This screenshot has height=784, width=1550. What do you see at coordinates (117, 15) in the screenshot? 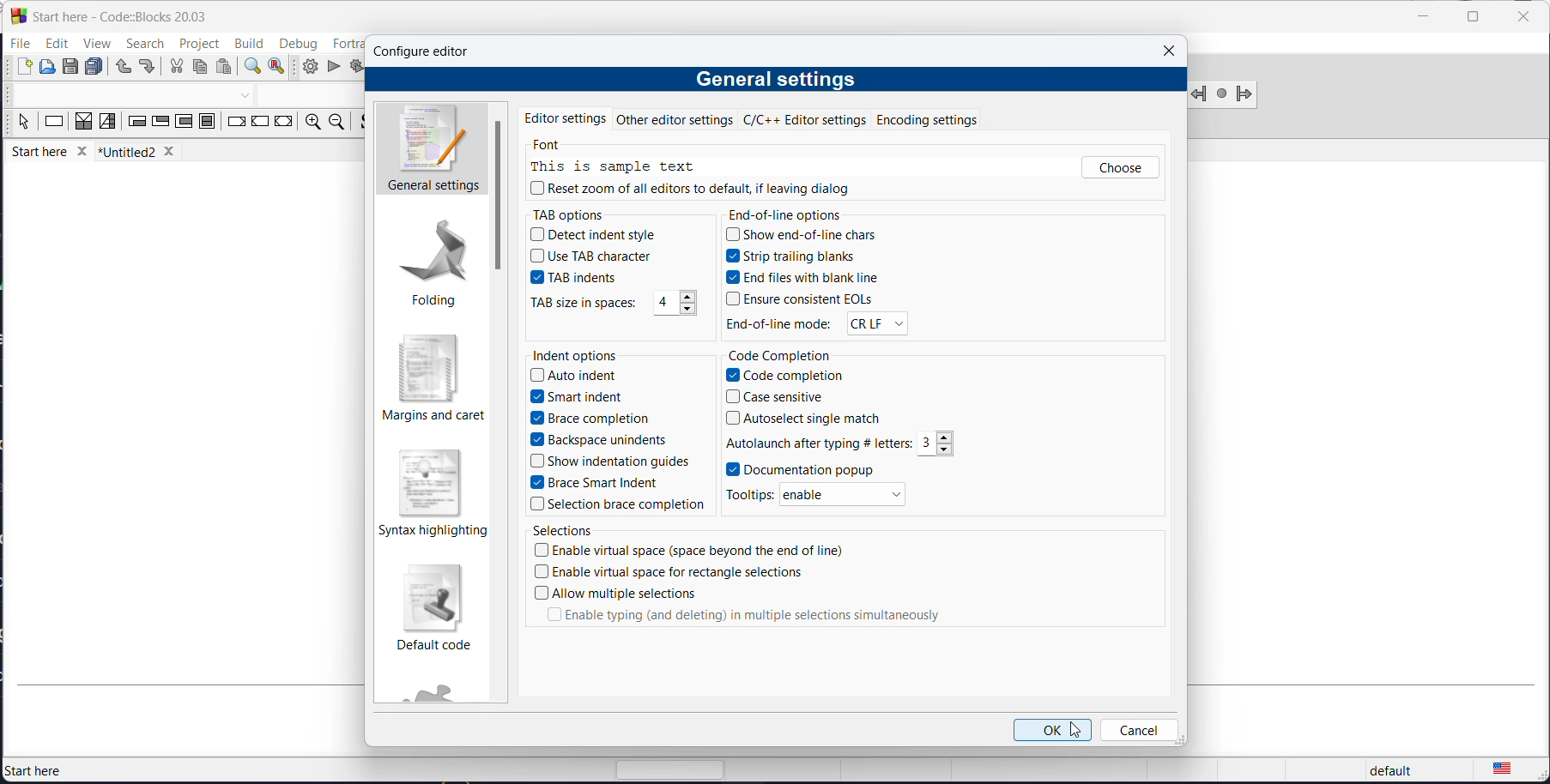
I see `start here window` at bounding box center [117, 15].